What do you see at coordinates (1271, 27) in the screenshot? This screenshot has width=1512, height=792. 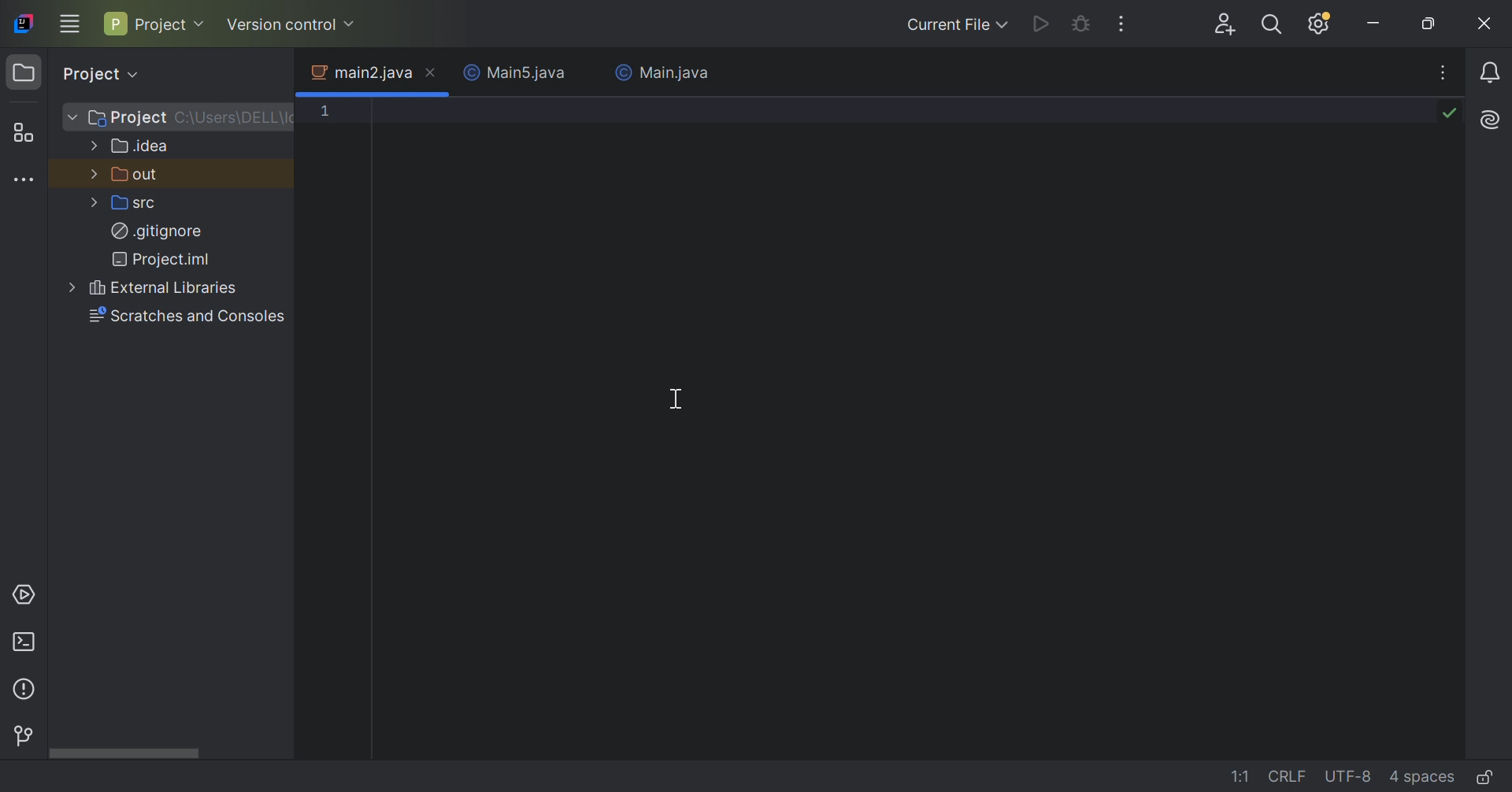 I see `Search everywhere` at bounding box center [1271, 27].